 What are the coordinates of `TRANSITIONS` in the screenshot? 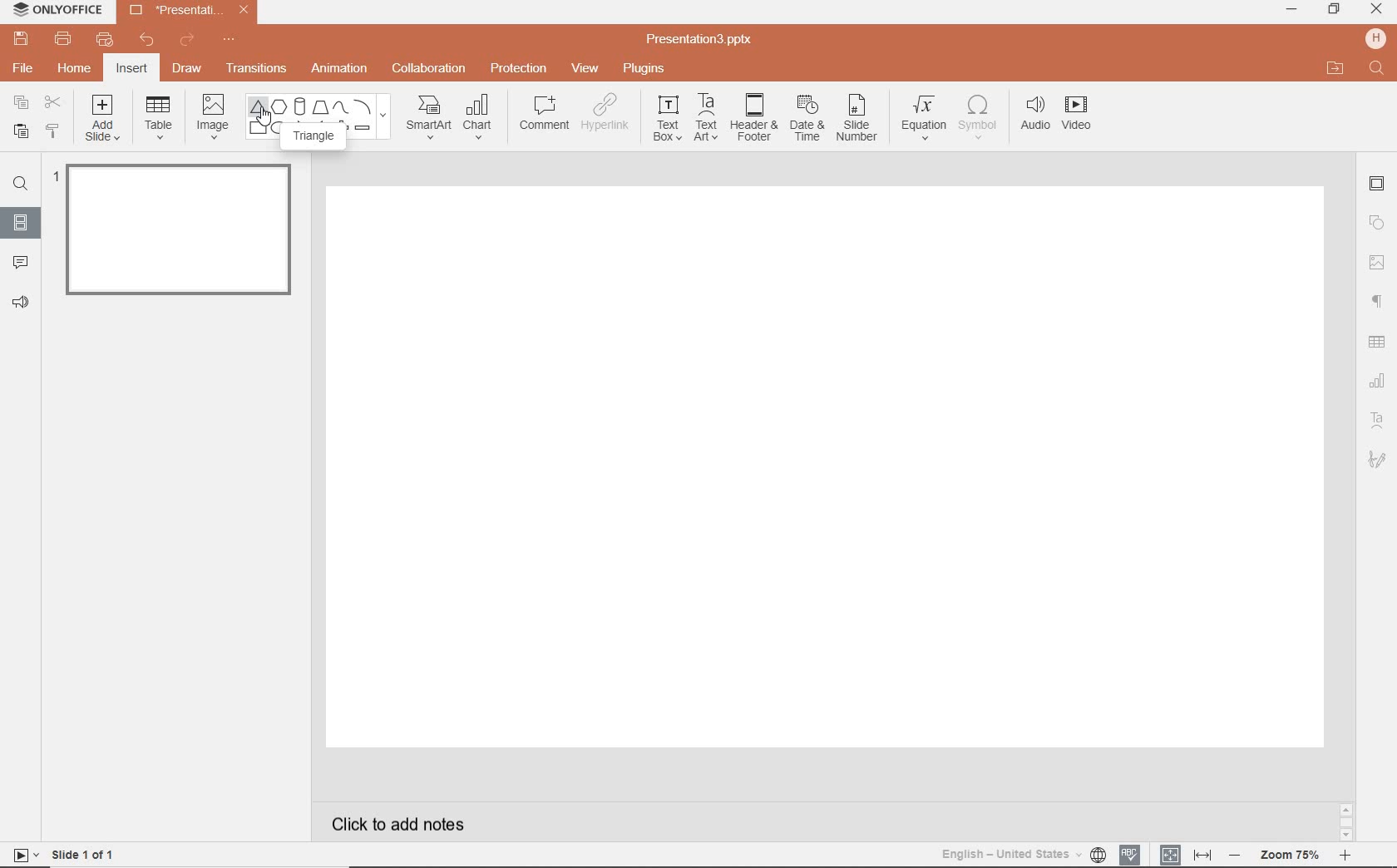 It's located at (259, 68).